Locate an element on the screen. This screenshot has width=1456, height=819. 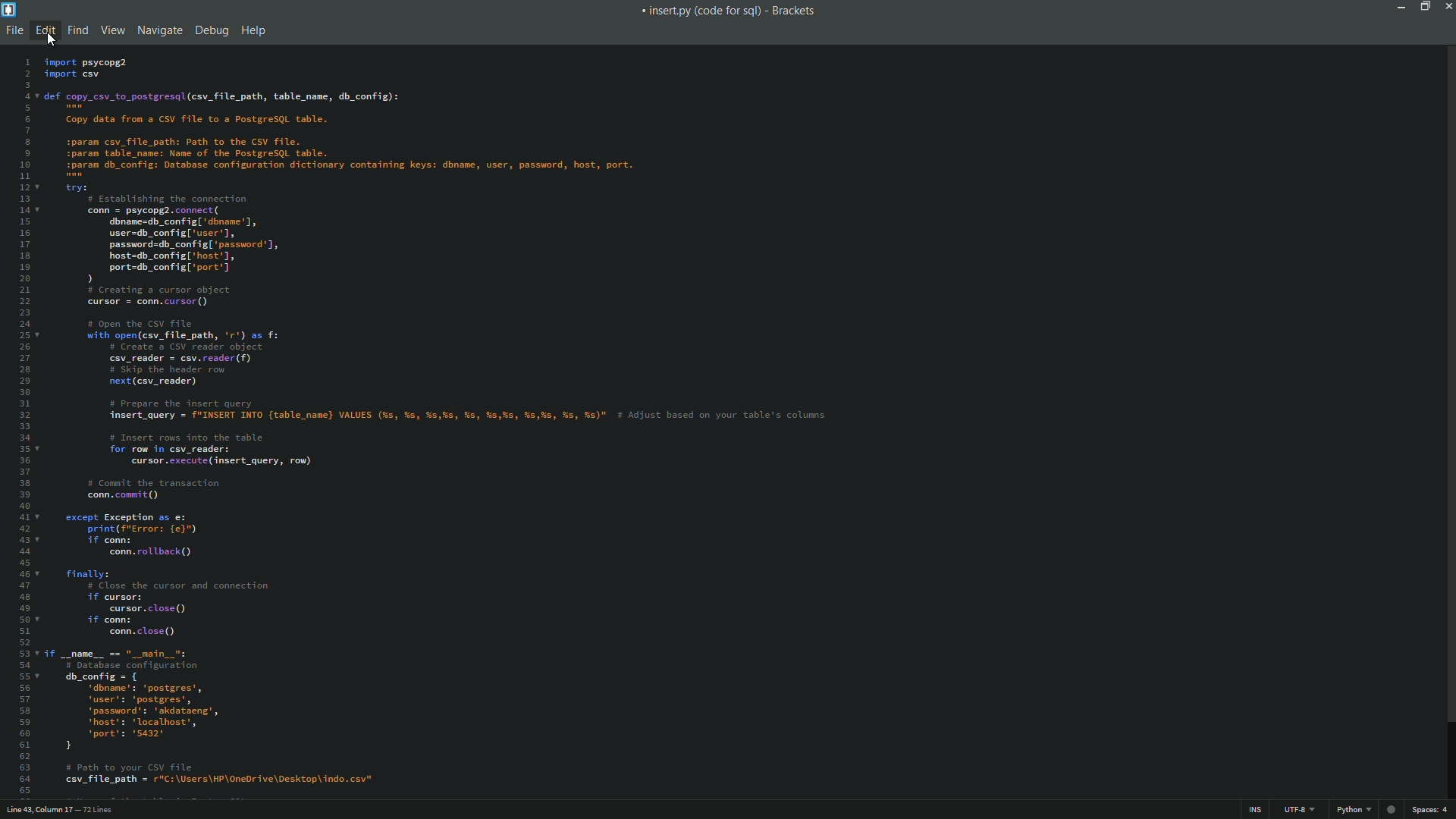
help menu is located at coordinates (254, 32).